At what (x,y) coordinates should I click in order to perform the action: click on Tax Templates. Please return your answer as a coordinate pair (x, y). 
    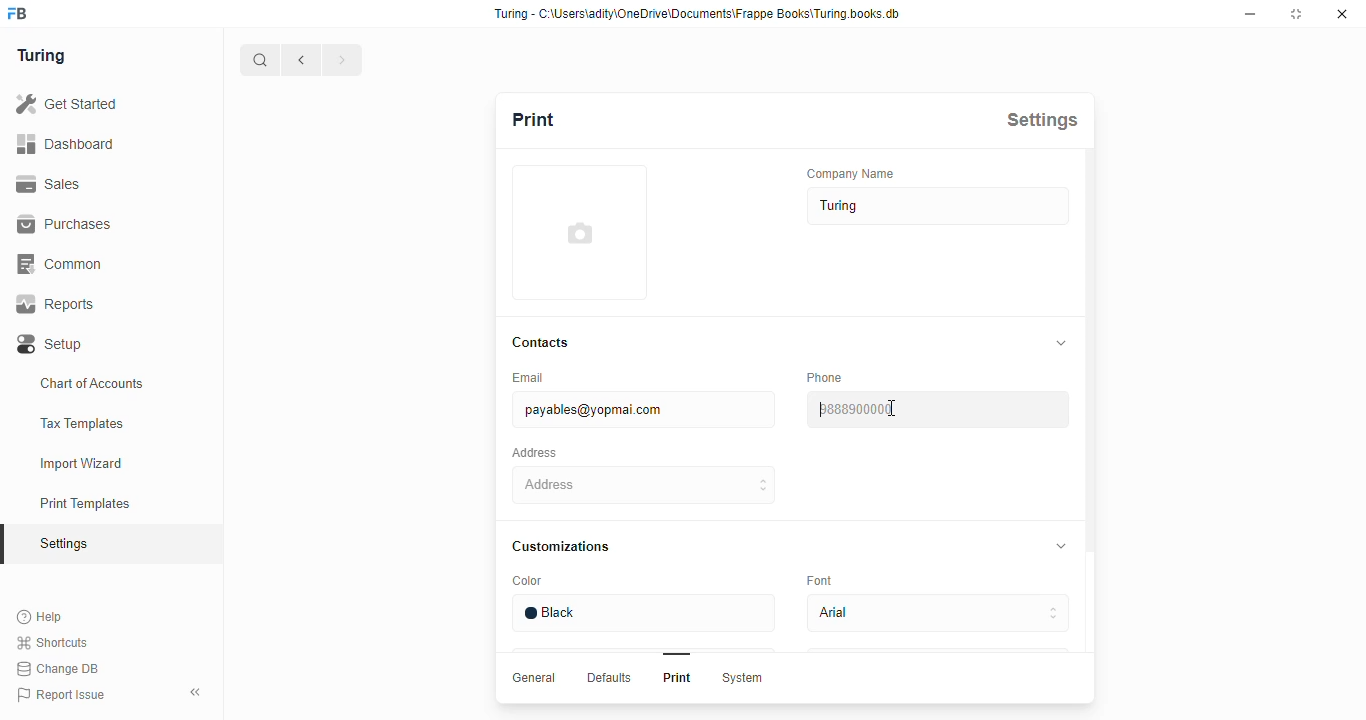
    Looking at the image, I should click on (92, 421).